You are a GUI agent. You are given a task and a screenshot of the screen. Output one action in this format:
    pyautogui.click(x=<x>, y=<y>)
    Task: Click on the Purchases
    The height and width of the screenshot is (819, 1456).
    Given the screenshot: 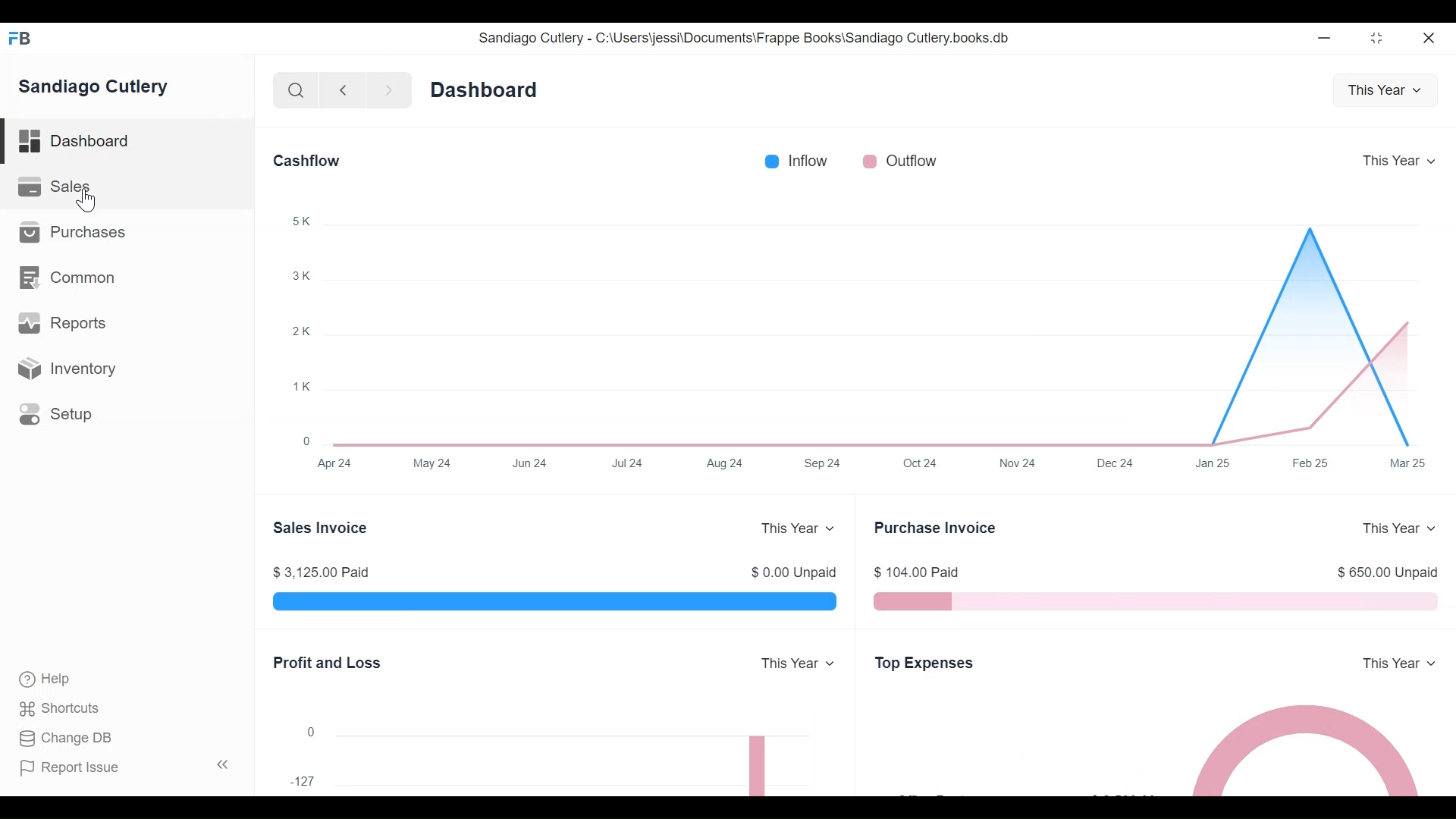 What is the action you would take?
    pyautogui.click(x=70, y=231)
    